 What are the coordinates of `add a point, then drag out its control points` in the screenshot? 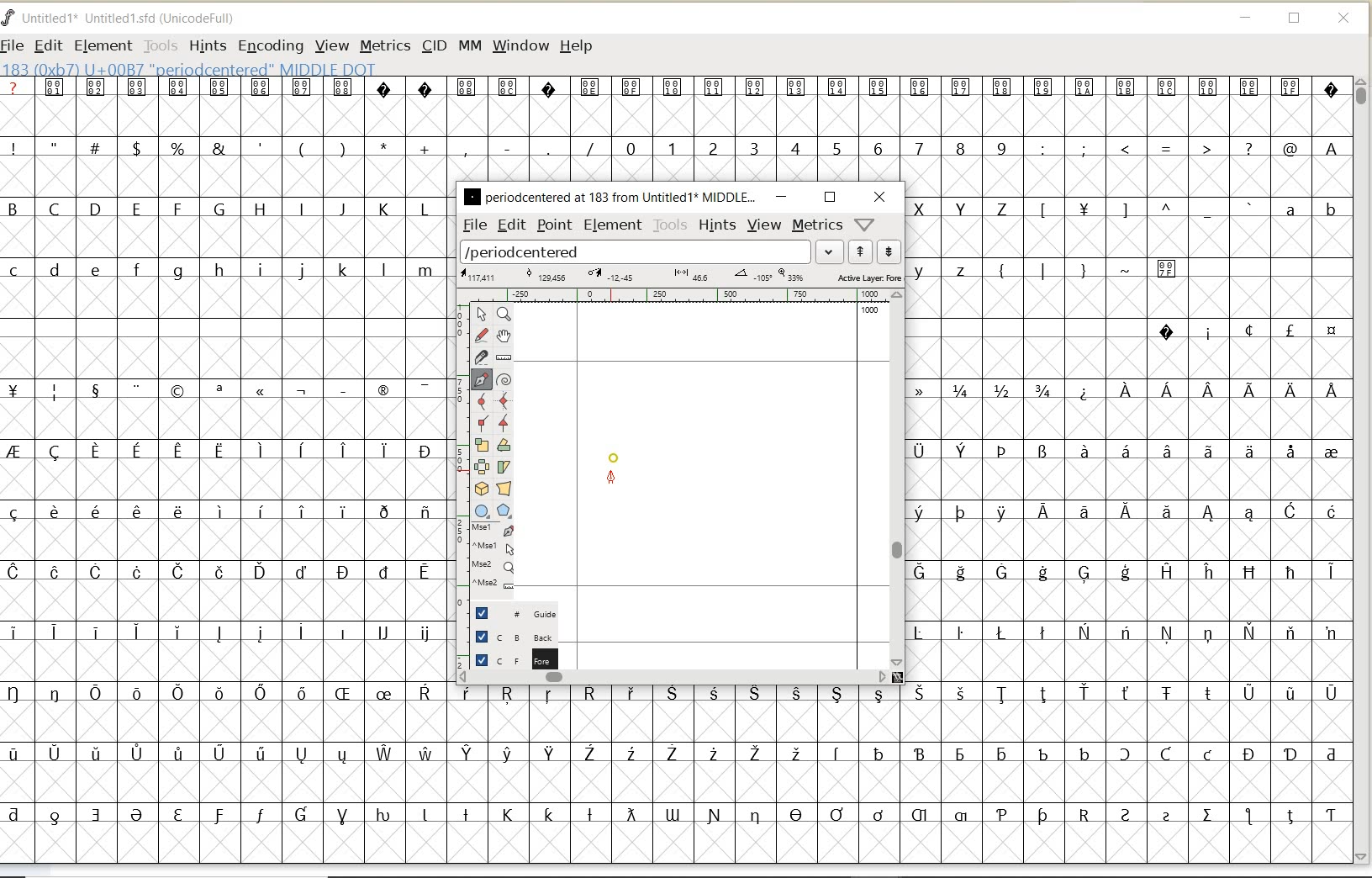 It's located at (482, 378).